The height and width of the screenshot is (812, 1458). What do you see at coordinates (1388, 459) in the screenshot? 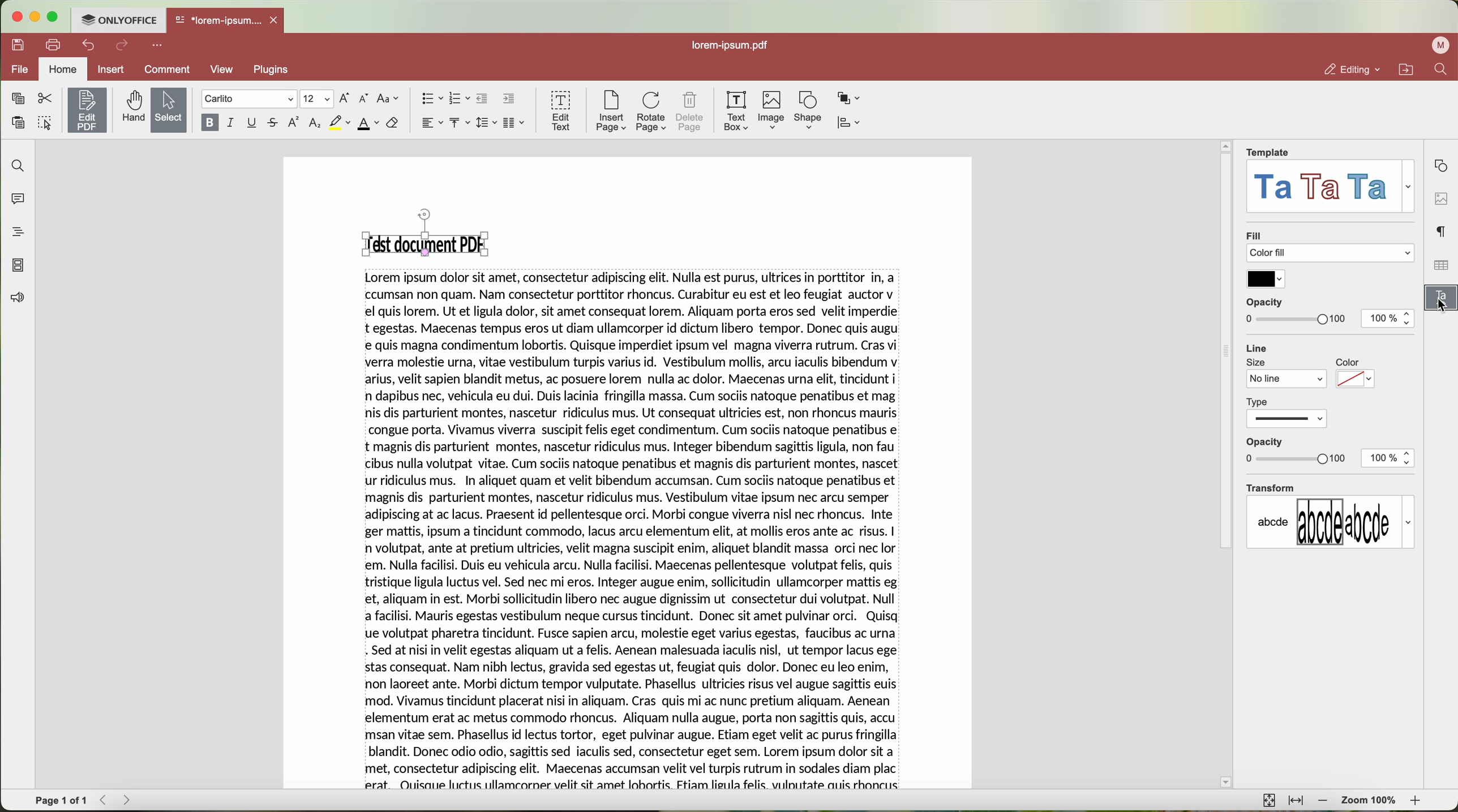
I see `100%` at bounding box center [1388, 459].